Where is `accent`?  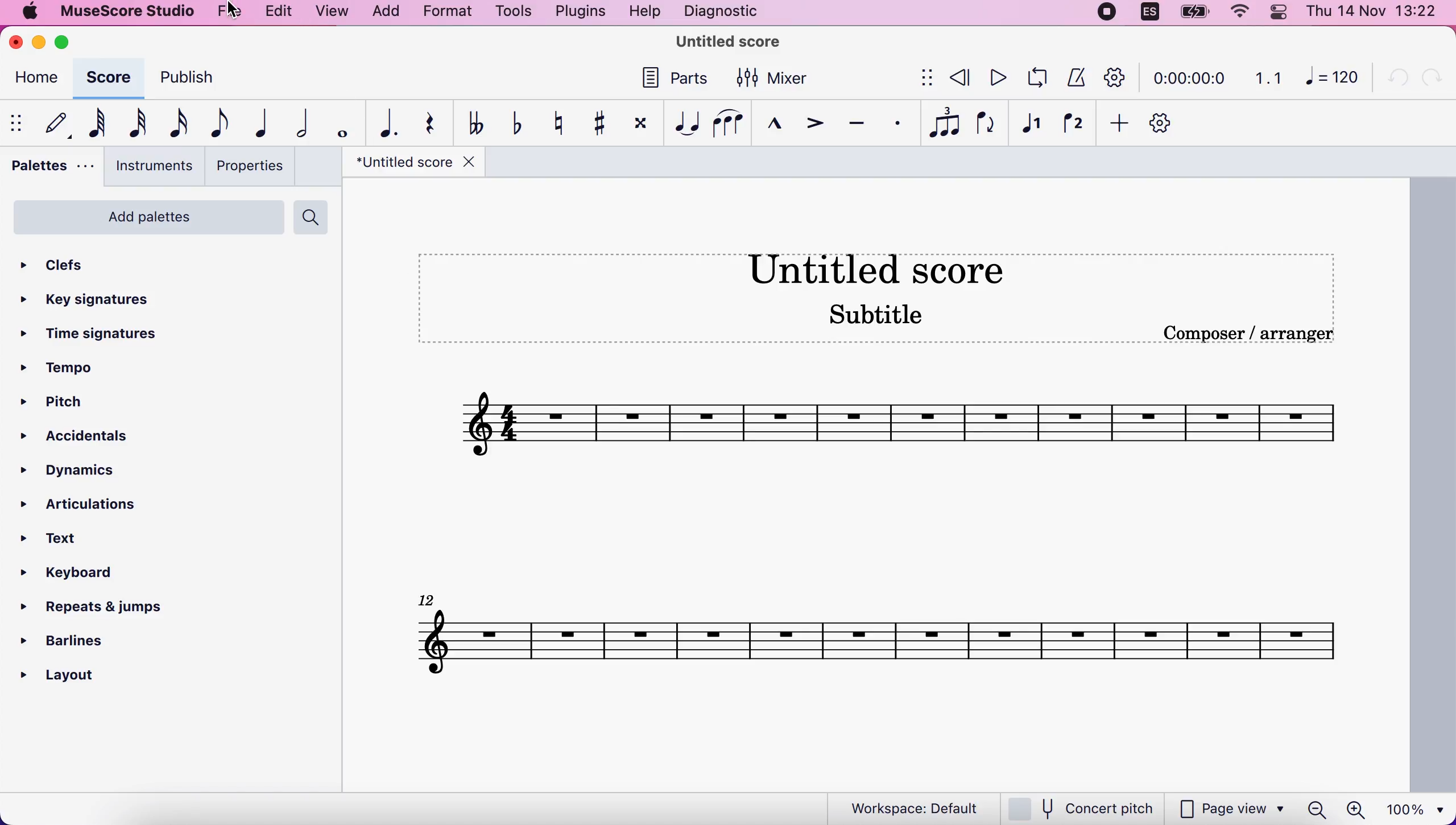 accent is located at coordinates (811, 126).